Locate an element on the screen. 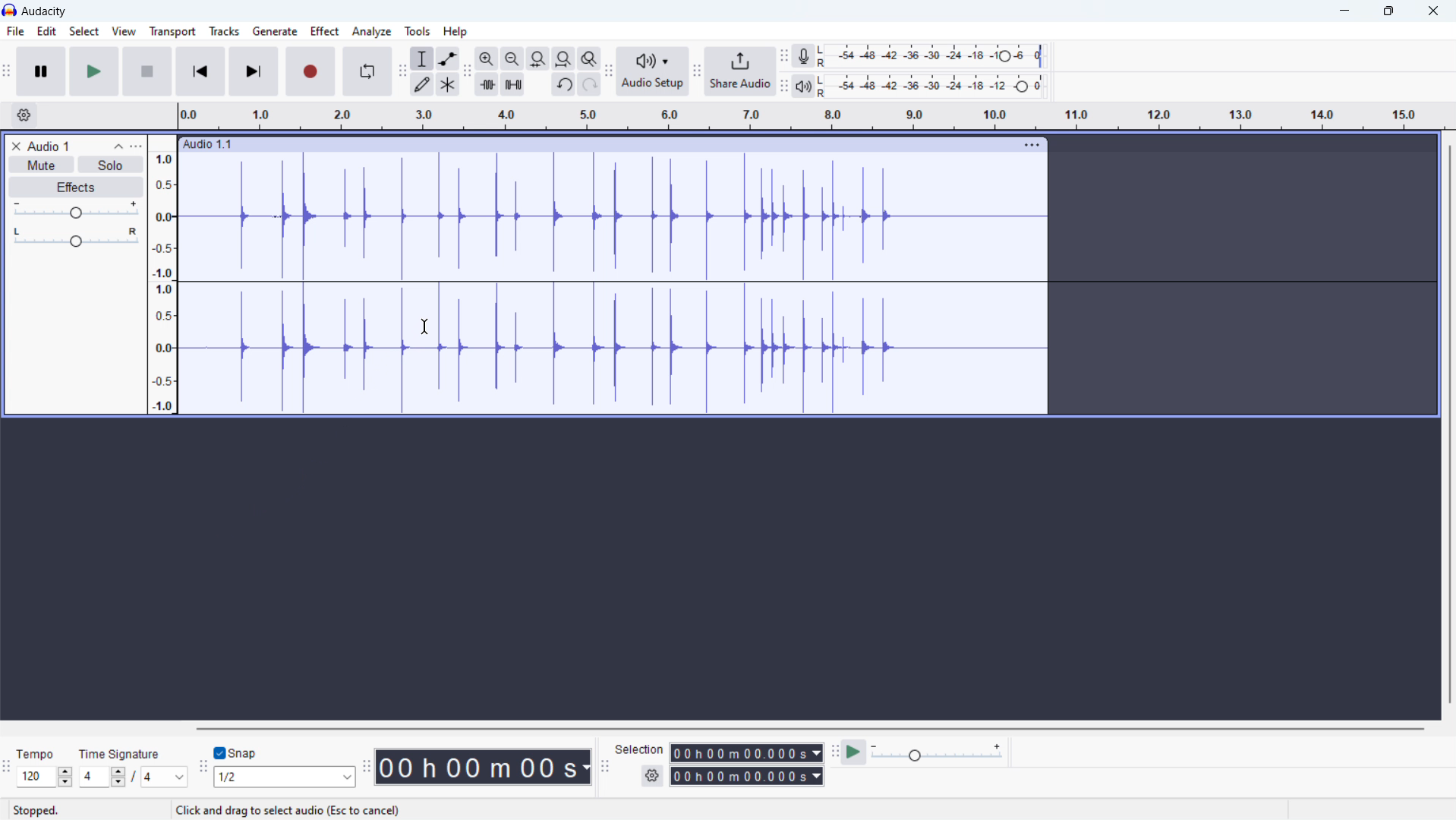 The image size is (1456, 820). logo is located at coordinates (9, 11).